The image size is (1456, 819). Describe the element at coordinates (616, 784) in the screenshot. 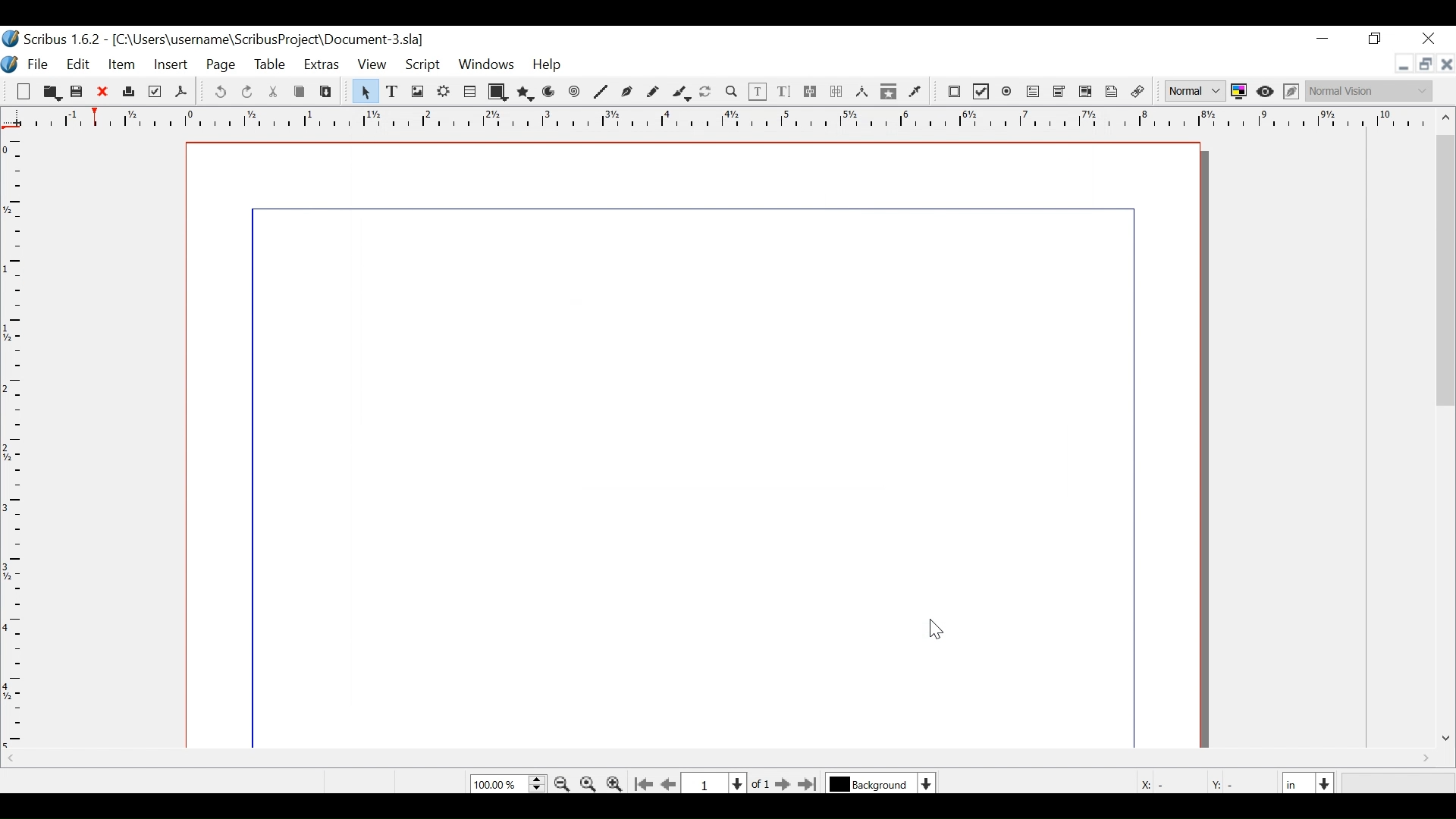

I see `Zoom out` at that location.